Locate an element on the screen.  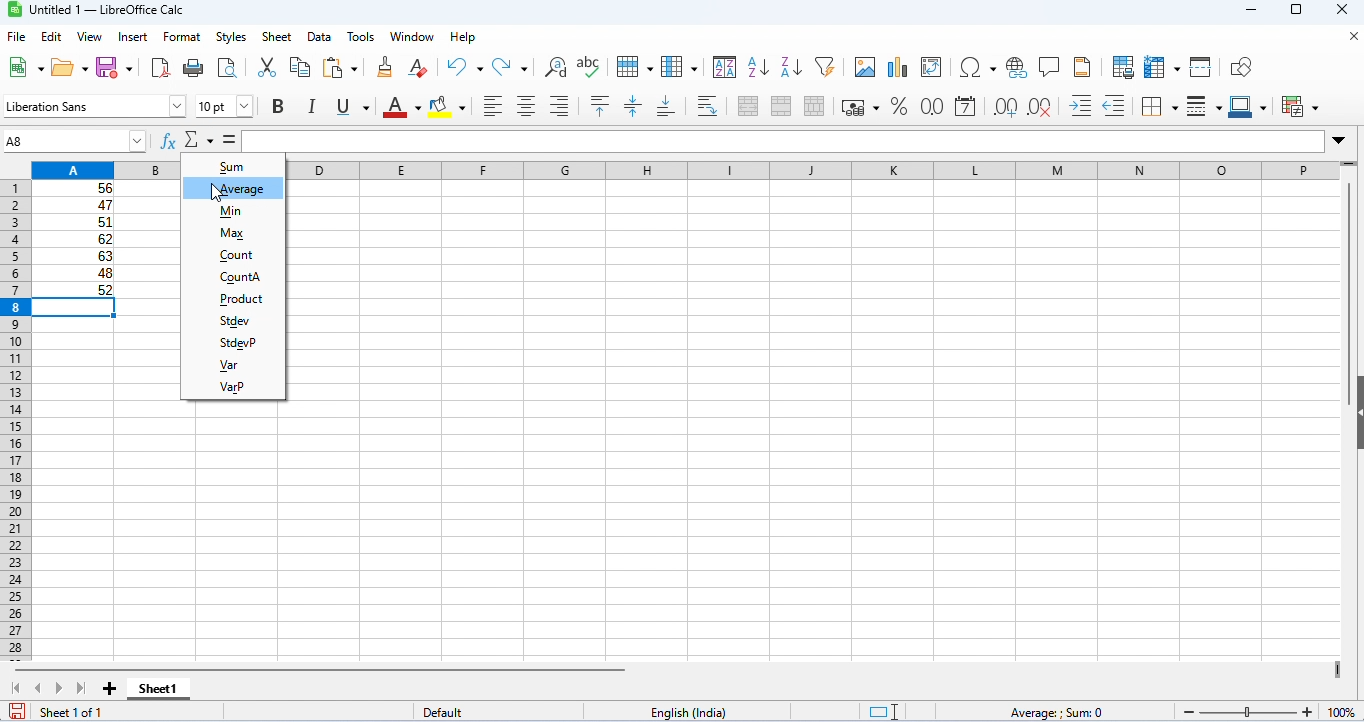
selected cells is located at coordinates (76, 308).